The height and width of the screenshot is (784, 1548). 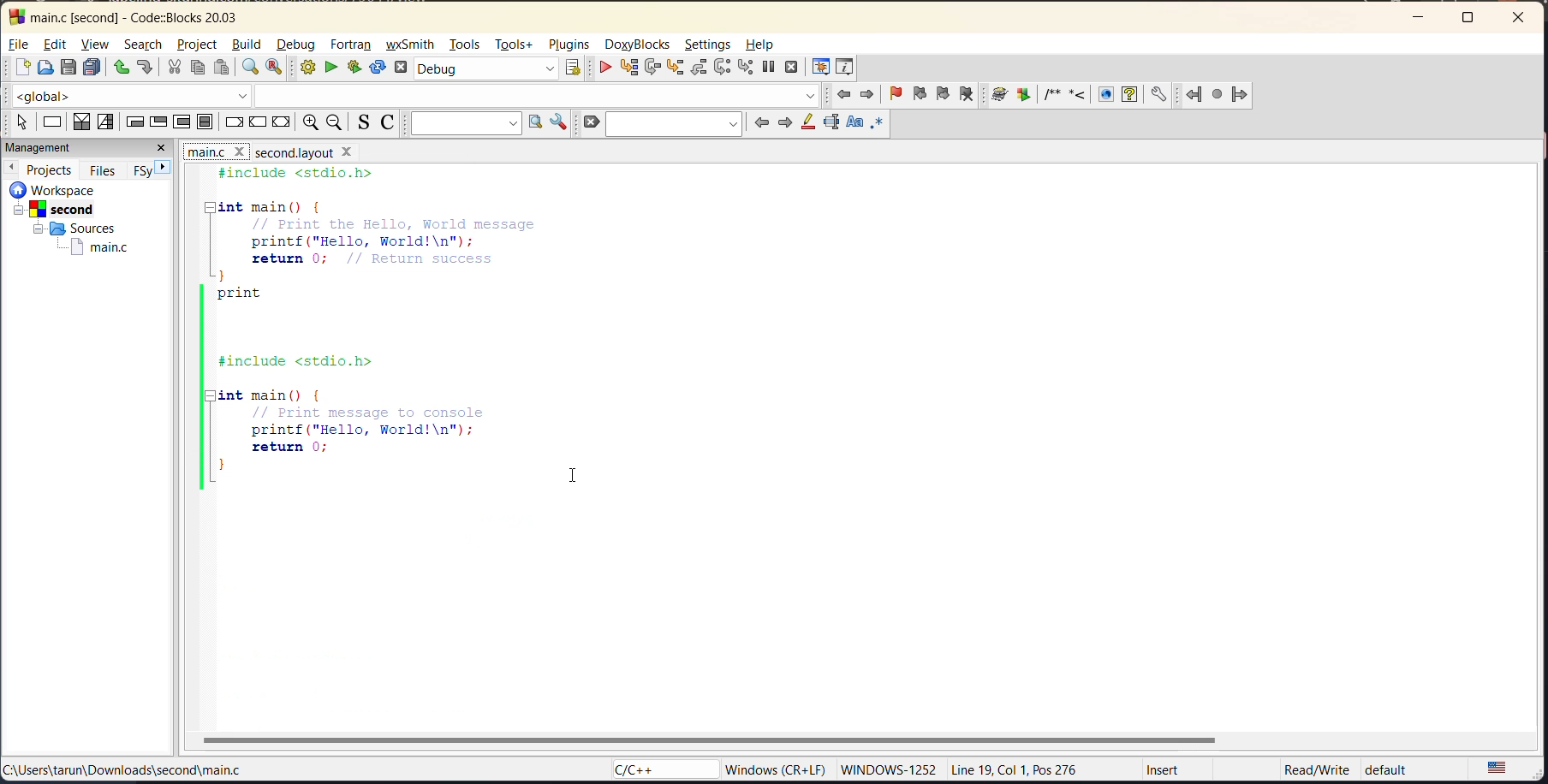 I want to click on toggle comments, so click(x=387, y=124).